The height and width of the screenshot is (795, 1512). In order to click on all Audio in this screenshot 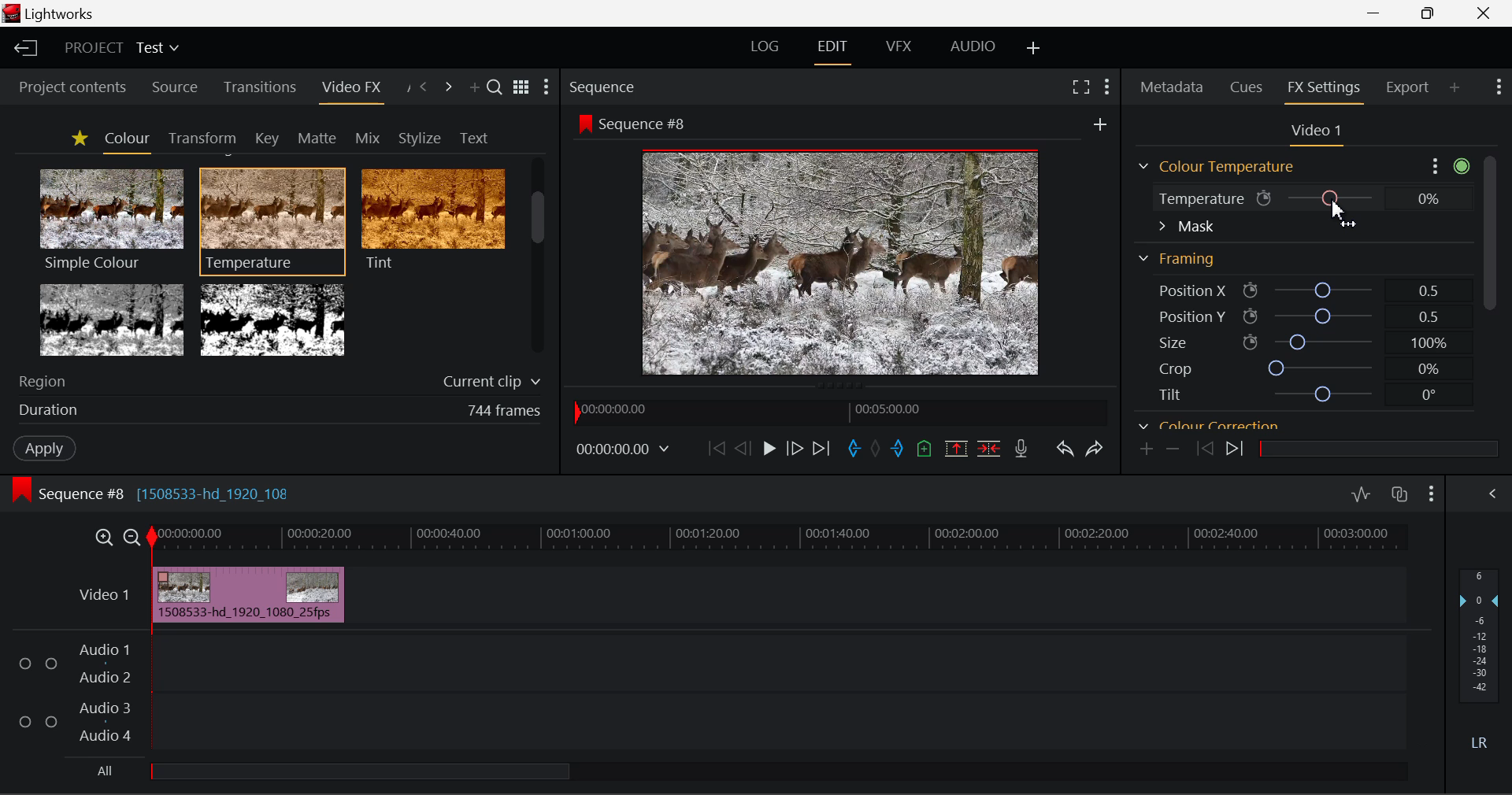, I will do `click(361, 770)`.